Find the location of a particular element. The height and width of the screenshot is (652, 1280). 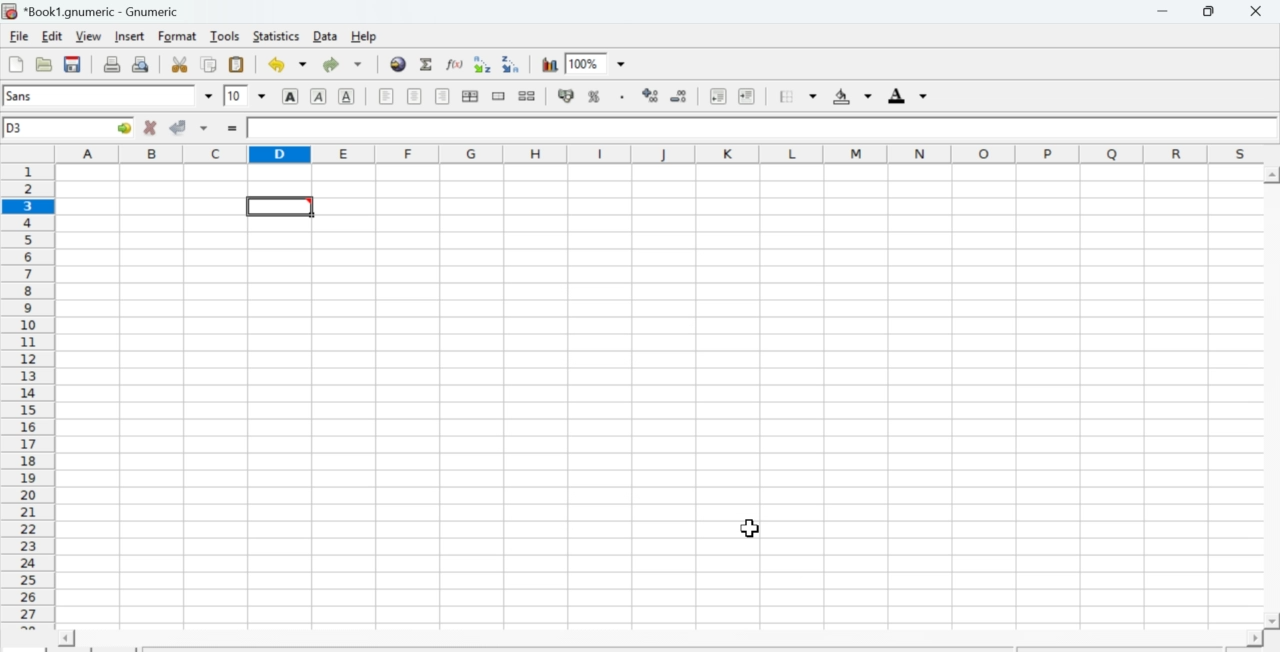

File is located at coordinates (18, 37).